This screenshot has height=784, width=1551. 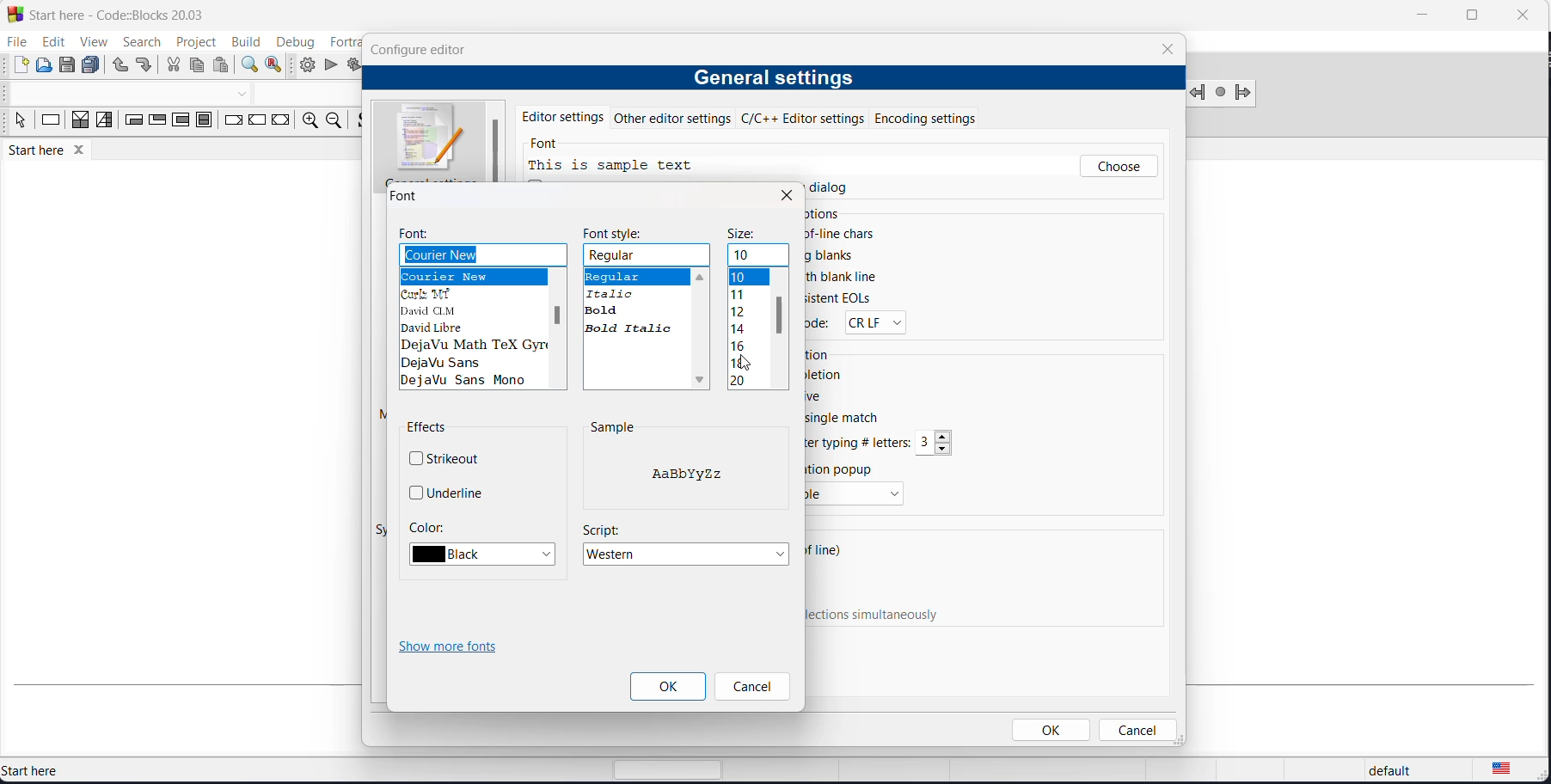 What do you see at coordinates (450, 456) in the screenshot?
I see `strikeout checkbox` at bounding box center [450, 456].